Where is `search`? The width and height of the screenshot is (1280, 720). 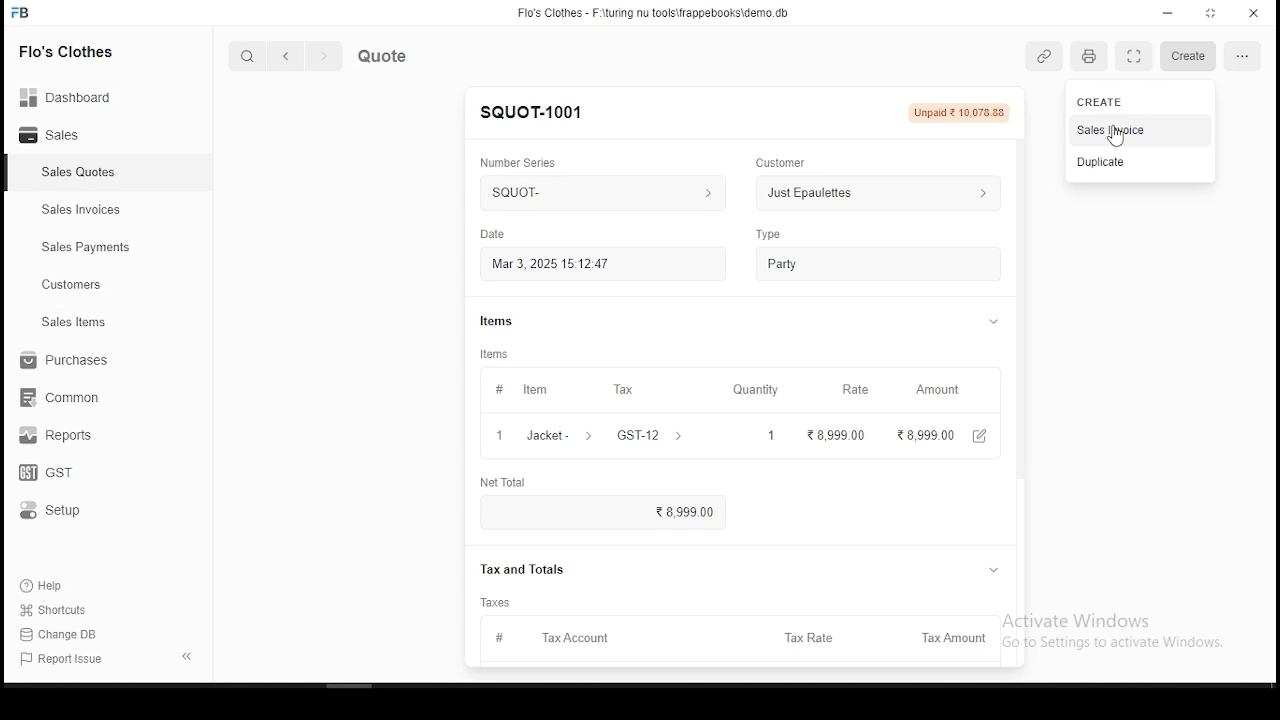
search is located at coordinates (247, 55).